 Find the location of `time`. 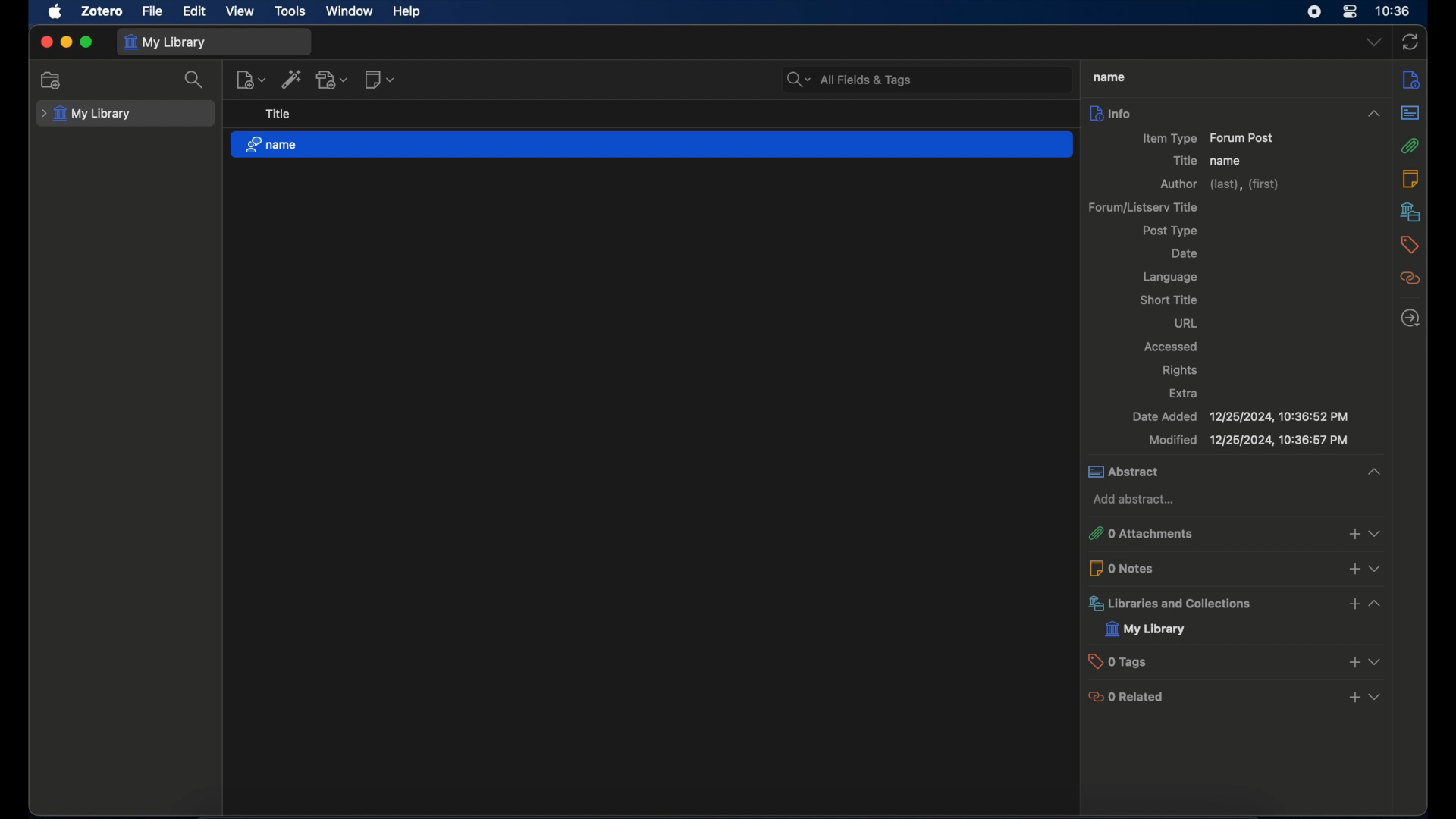

time is located at coordinates (1392, 10).